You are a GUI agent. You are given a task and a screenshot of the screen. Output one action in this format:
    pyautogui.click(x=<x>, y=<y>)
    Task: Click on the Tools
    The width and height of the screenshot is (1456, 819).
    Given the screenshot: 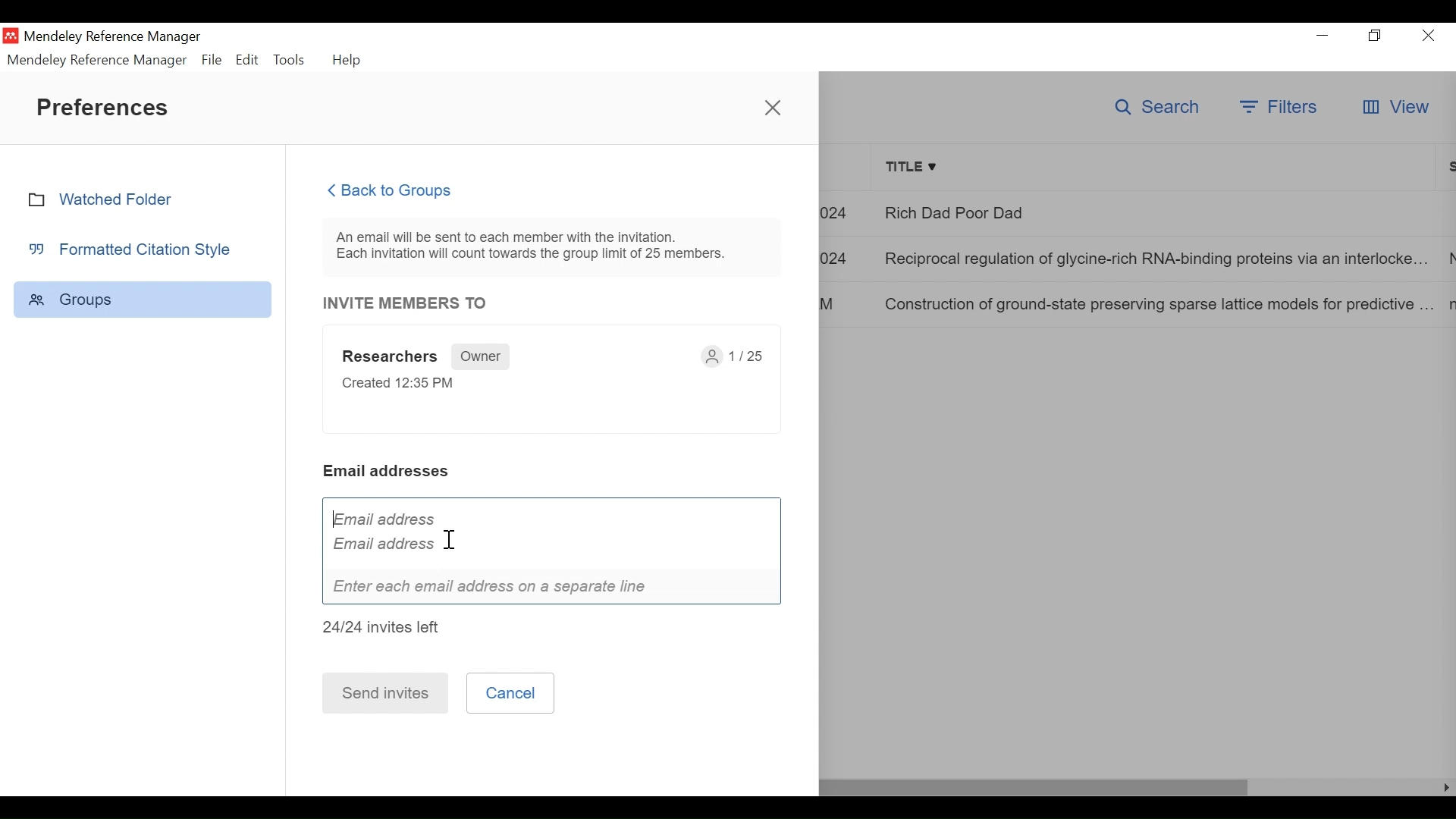 What is the action you would take?
    pyautogui.click(x=290, y=60)
    